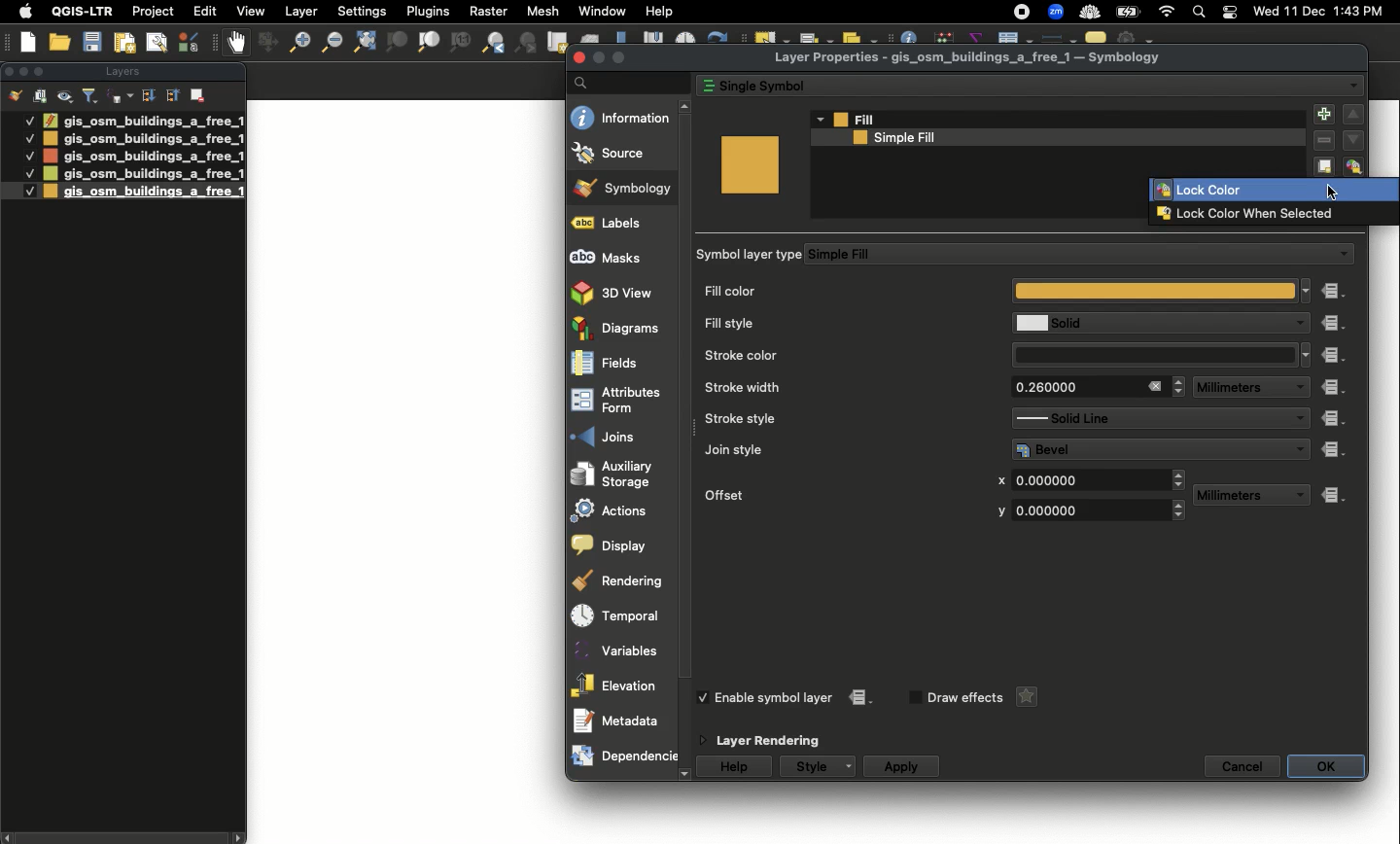 The image size is (1400, 844). Describe the element at coordinates (900, 767) in the screenshot. I see `Apply` at that location.